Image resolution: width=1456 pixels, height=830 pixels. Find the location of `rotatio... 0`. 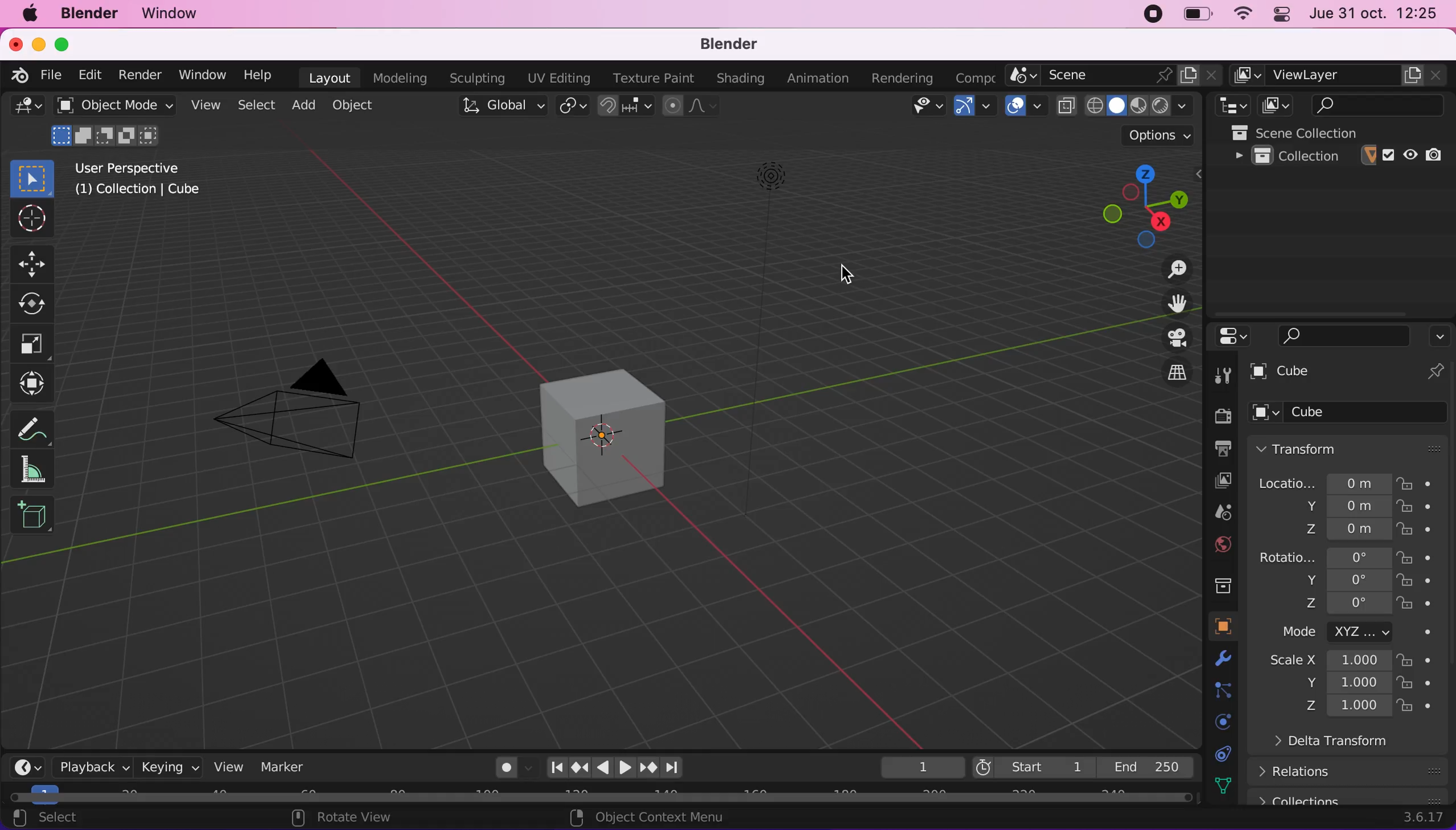

rotatio... 0 is located at coordinates (1323, 558).